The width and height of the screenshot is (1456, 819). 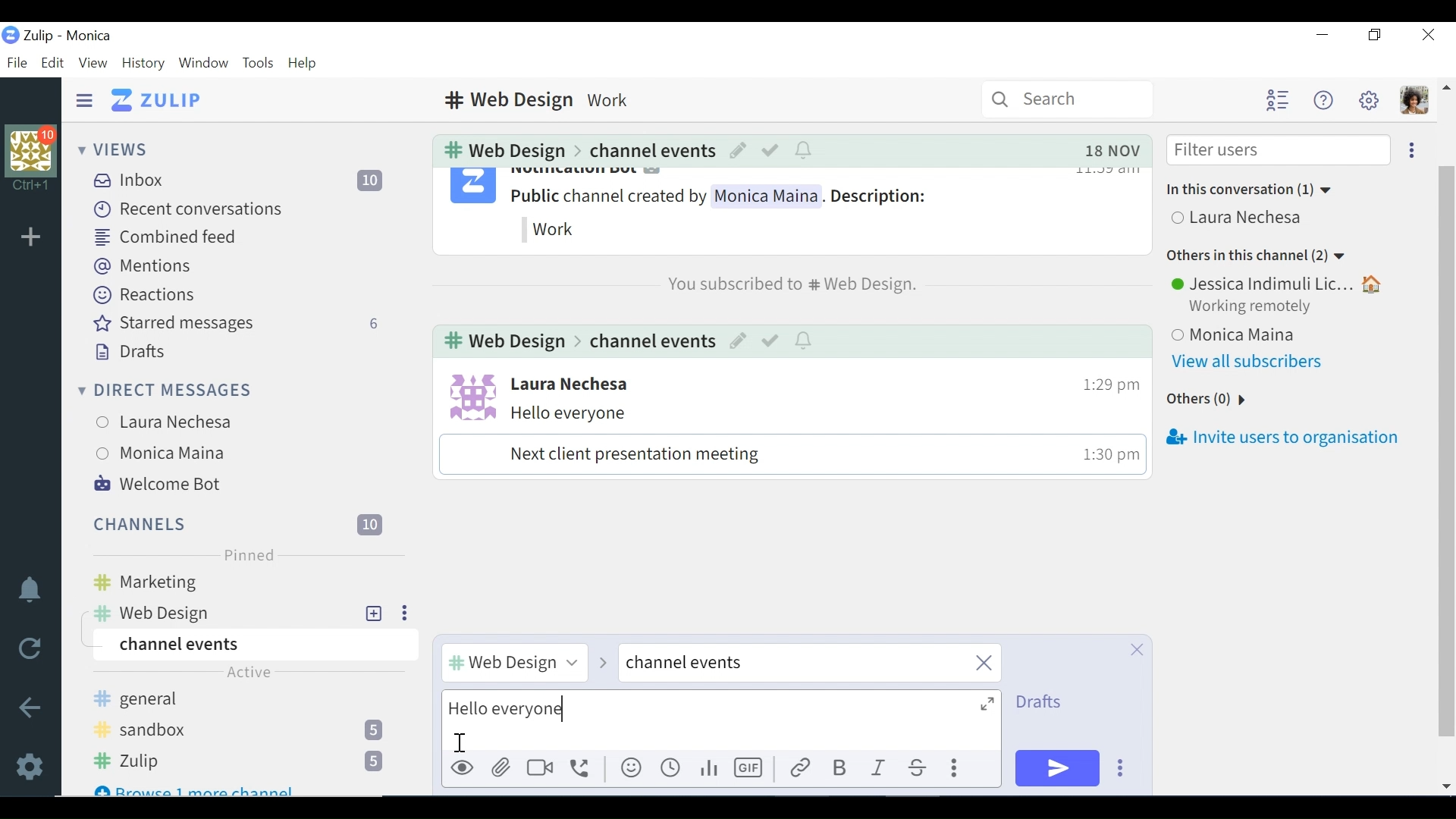 I want to click on Active label, so click(x=249, y=676).